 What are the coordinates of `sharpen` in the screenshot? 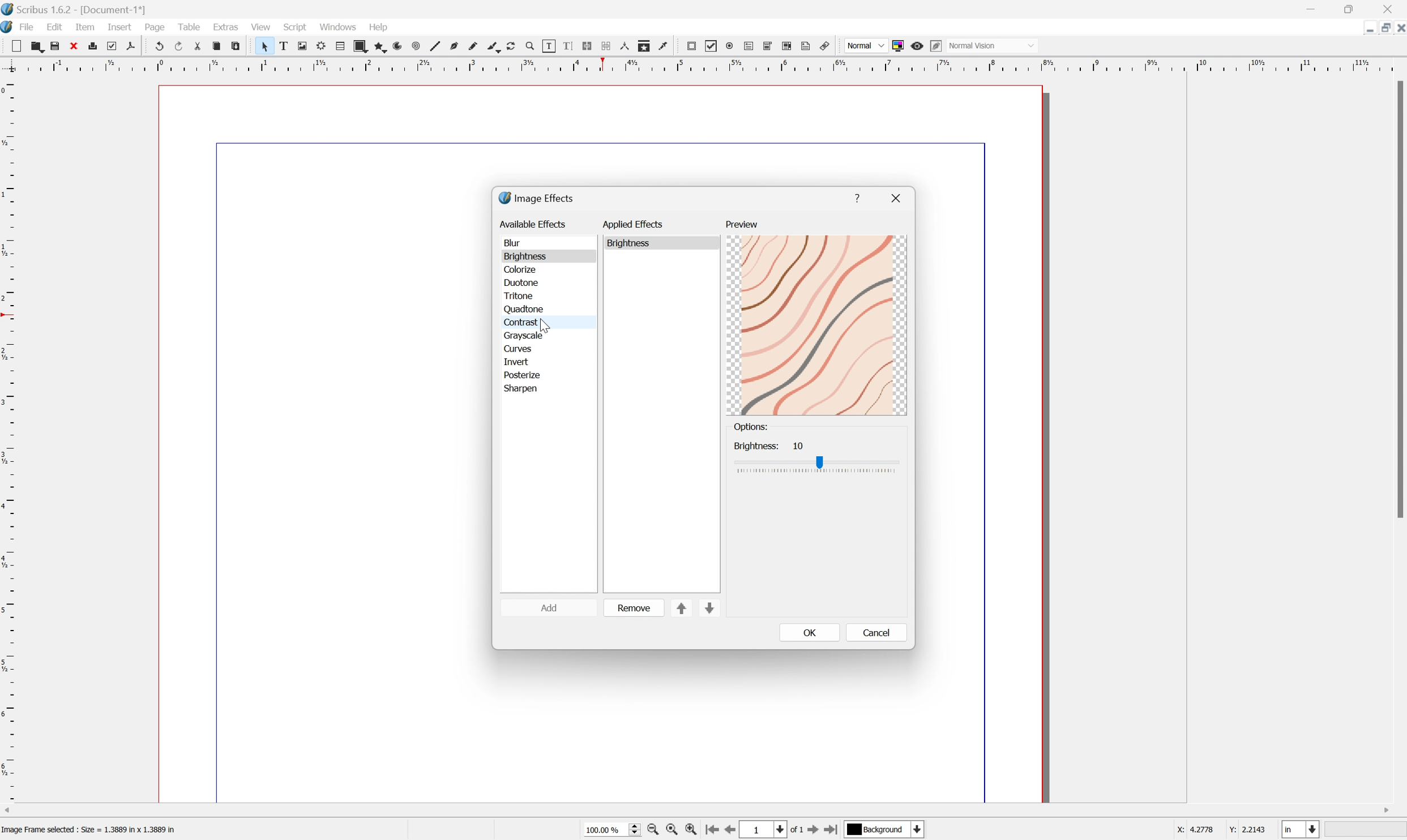 It's located at (524, 391).